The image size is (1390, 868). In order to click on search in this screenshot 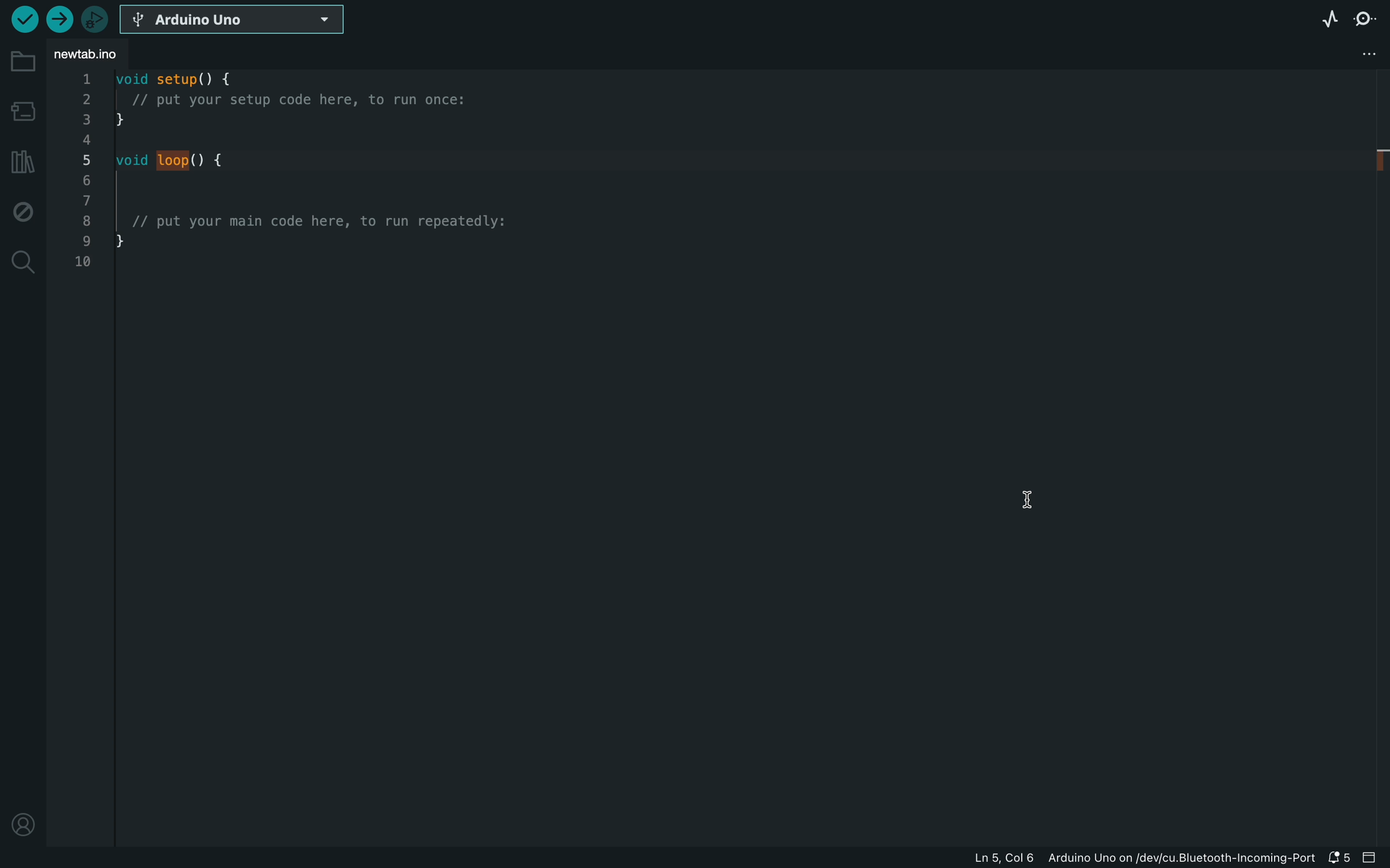, I will do `click(23, 260)`.